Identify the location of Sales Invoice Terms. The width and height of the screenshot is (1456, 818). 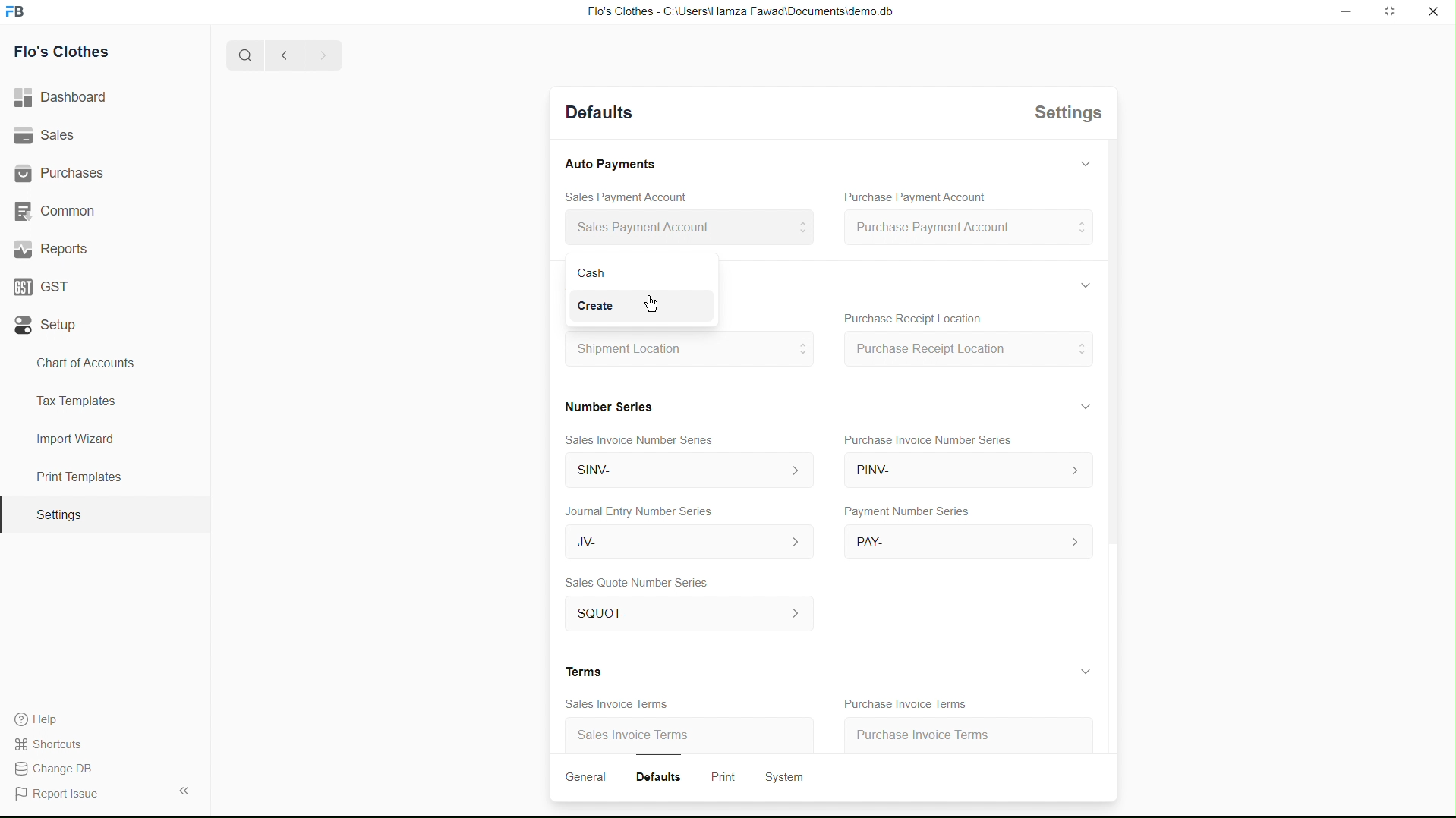
(622, 704).